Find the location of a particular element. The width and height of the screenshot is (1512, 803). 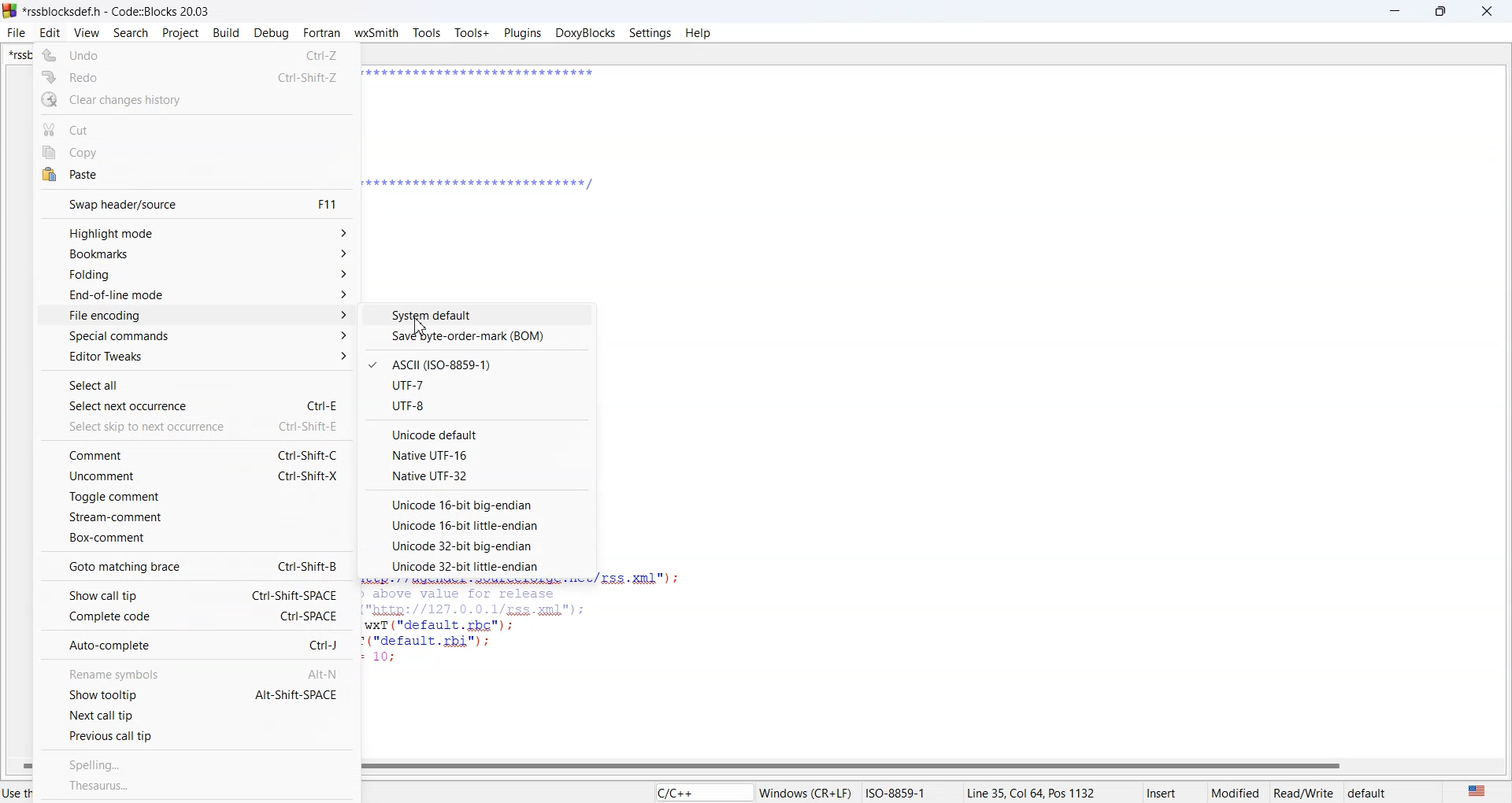

Windows(CR+LF) is located at coordinates (859, 791).